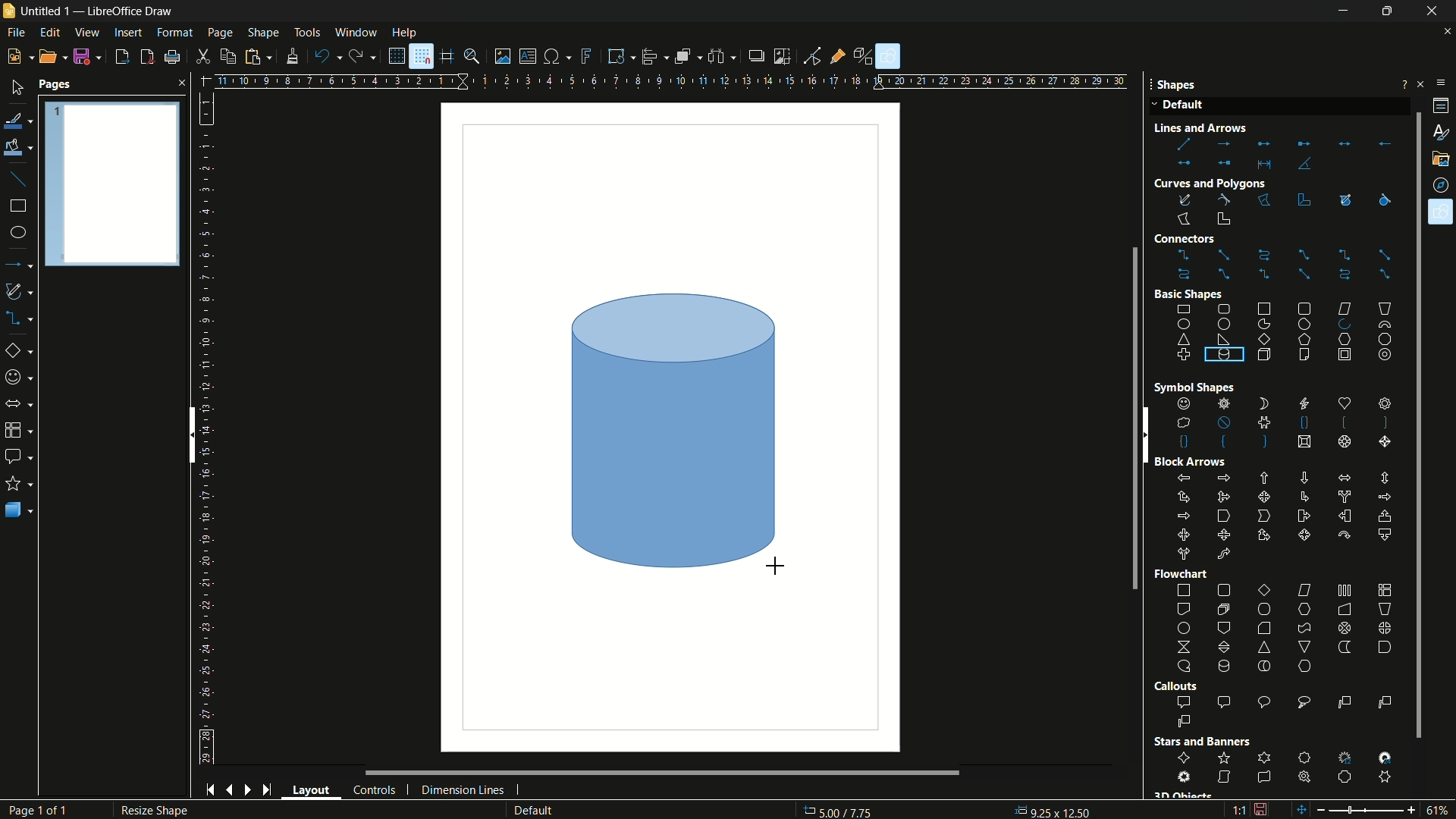 This screenshot has height=819, width=1456. I want to click on shapes, so click(1282, 424).